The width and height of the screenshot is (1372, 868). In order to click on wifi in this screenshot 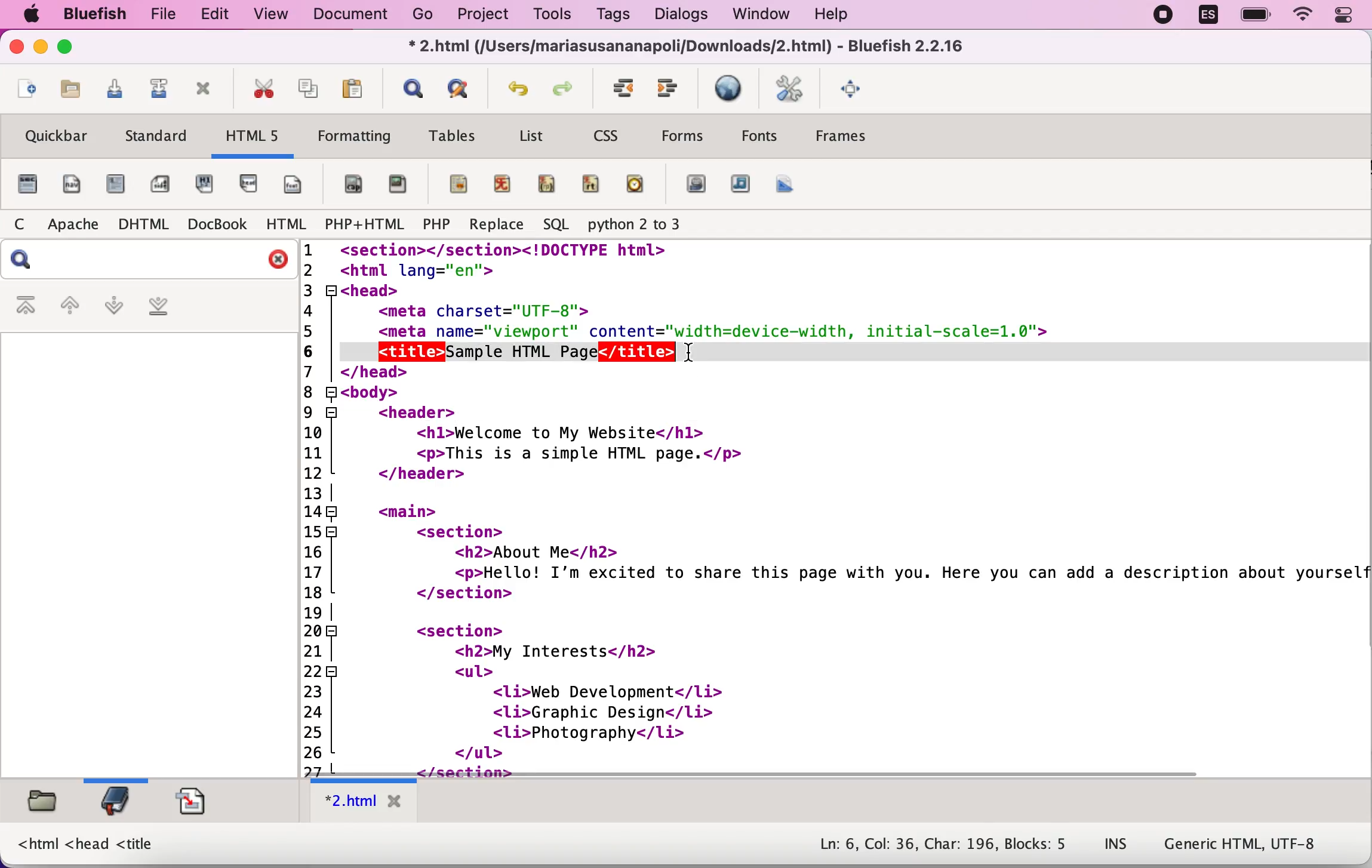, I will do `click(1302, 15)`.